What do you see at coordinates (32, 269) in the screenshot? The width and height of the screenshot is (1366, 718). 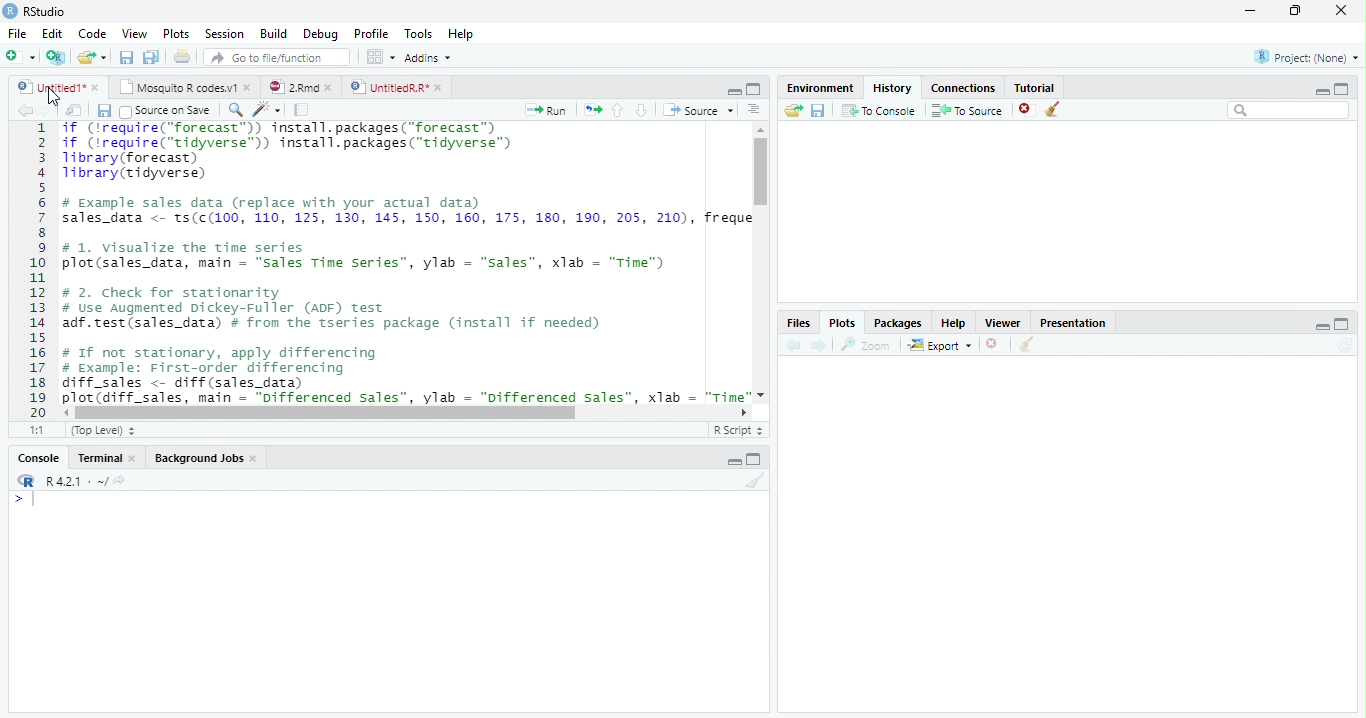 I see `Row number` at bounding box center [32, 269].